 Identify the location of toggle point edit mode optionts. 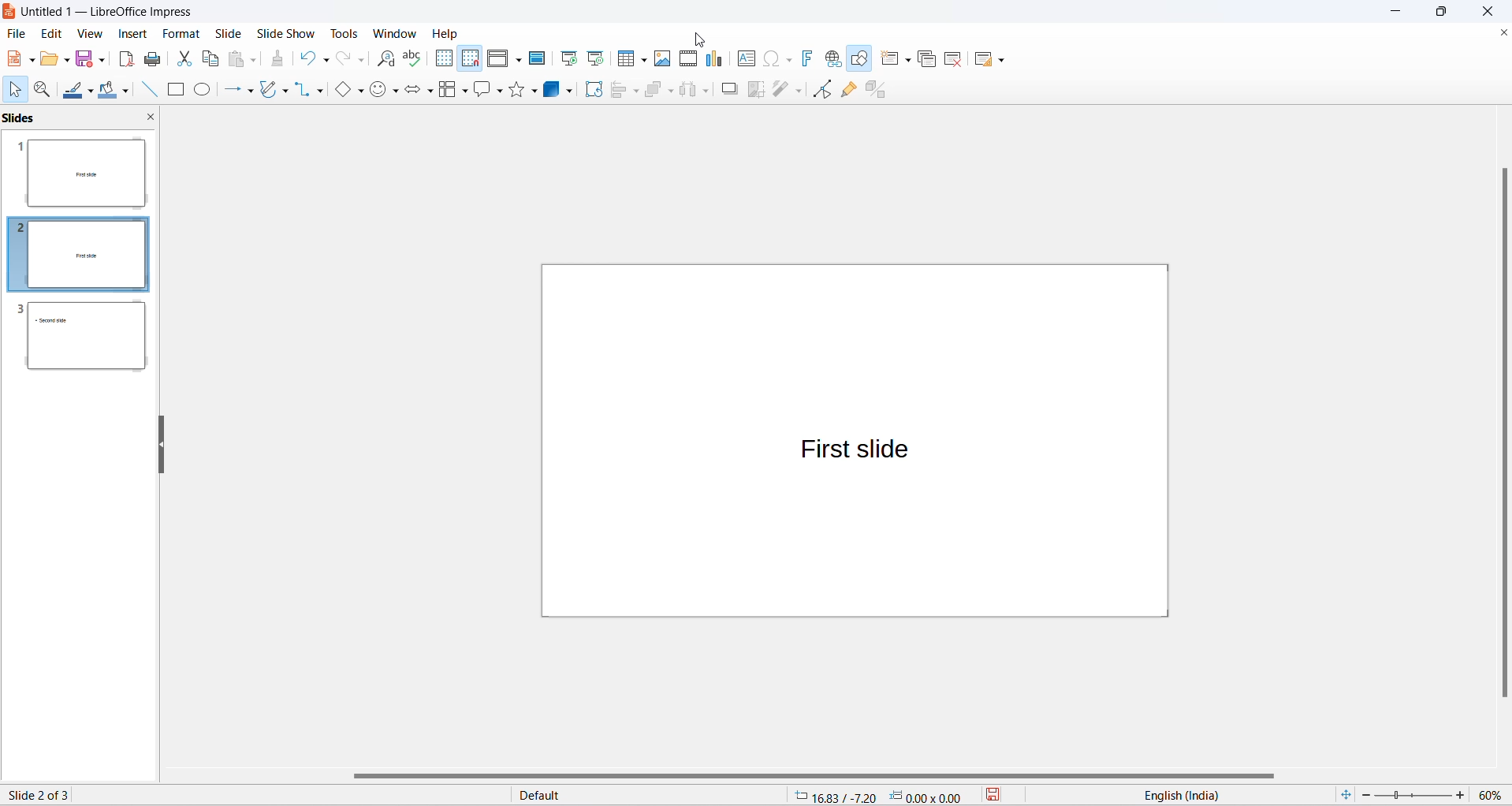
(796, 91).